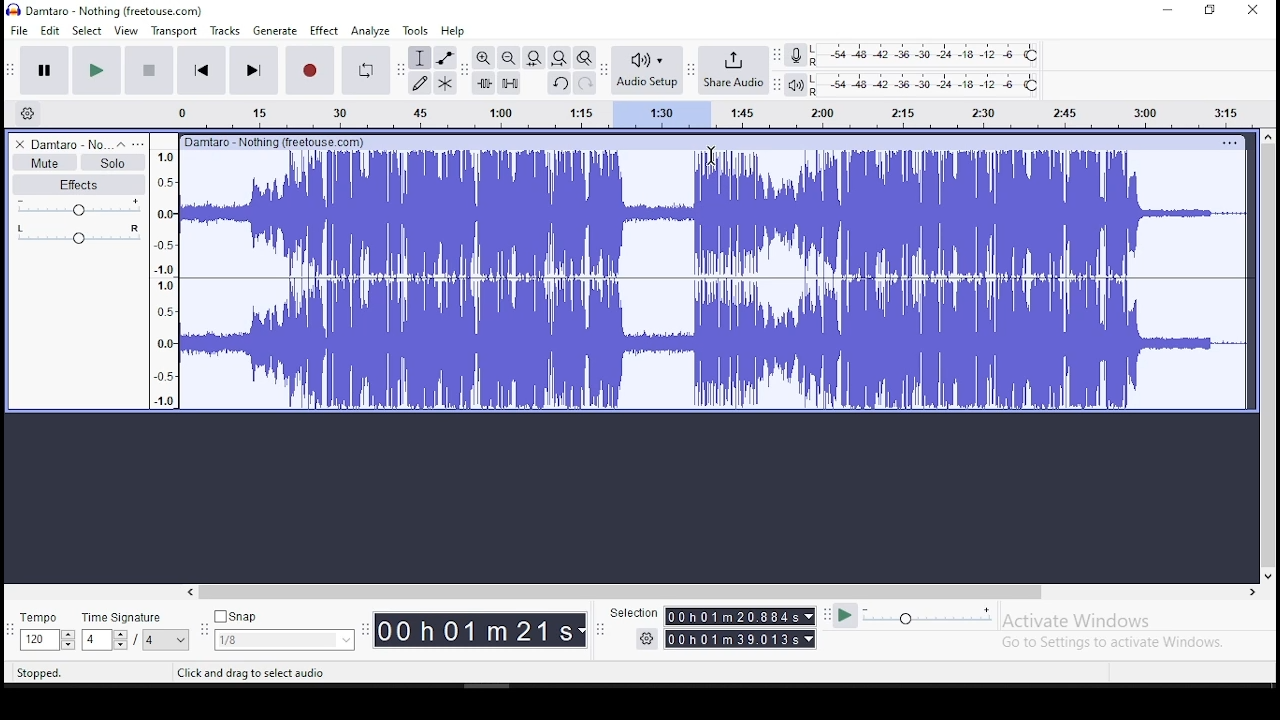  What do you see at coordinates (1229, 142) in the screenshot?
I see `` at bounding box center [1229, 142].